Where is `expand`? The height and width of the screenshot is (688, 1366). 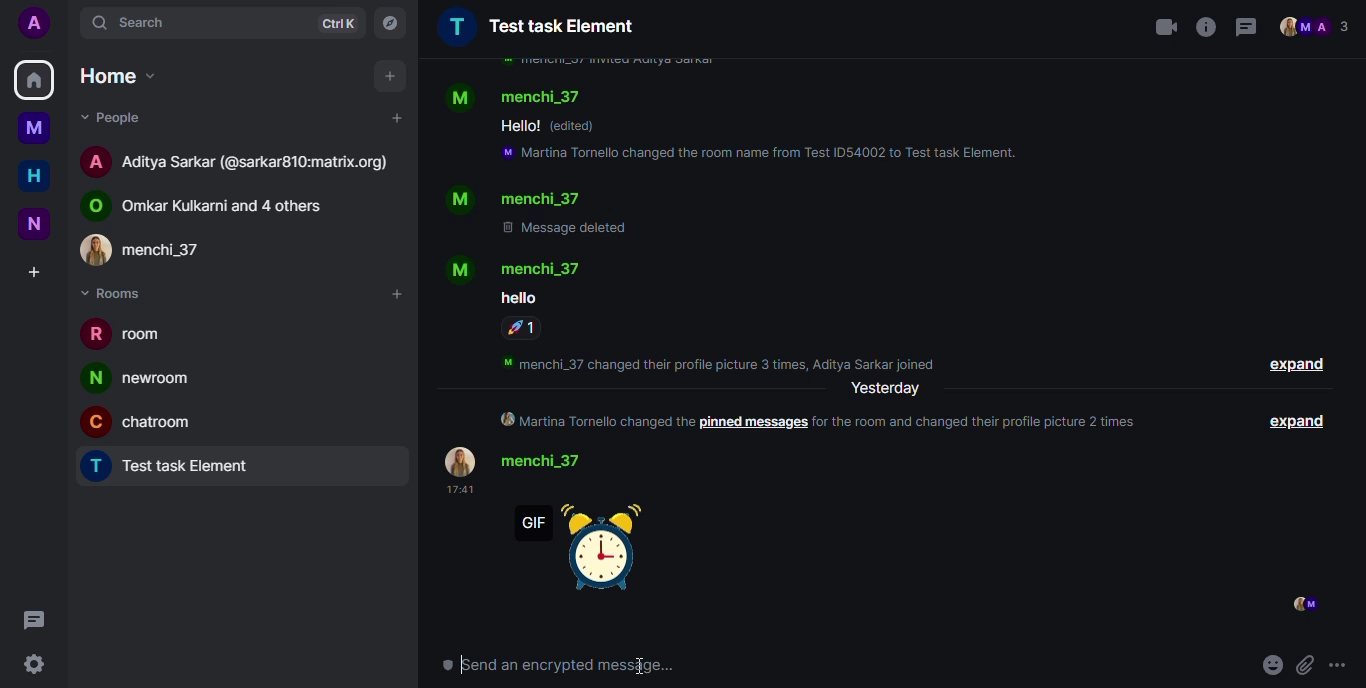 expand is located at coordinates (1301, 421).